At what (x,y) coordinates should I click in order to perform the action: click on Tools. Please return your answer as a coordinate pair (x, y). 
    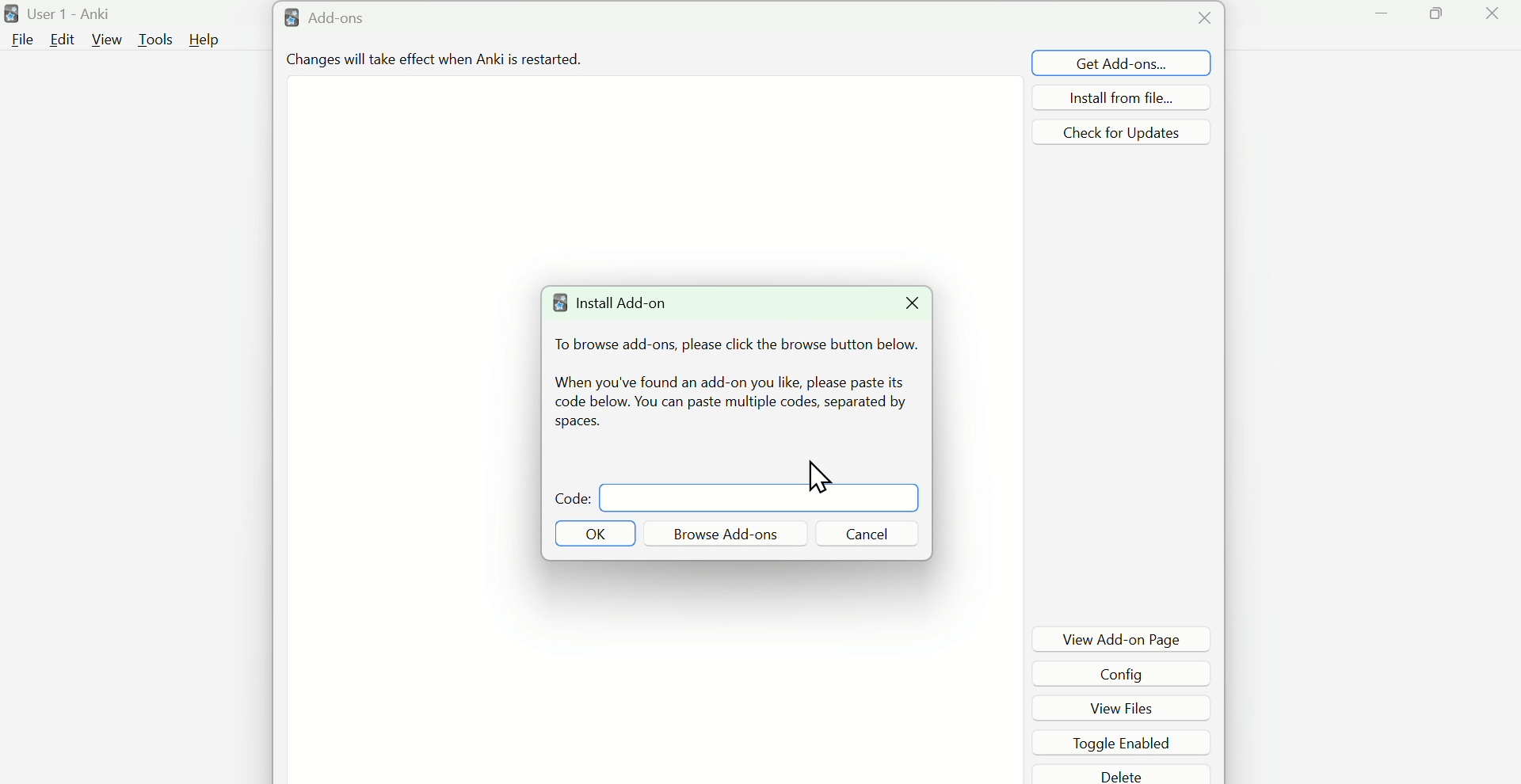
    Looking at the image, I should click on (157, 39).